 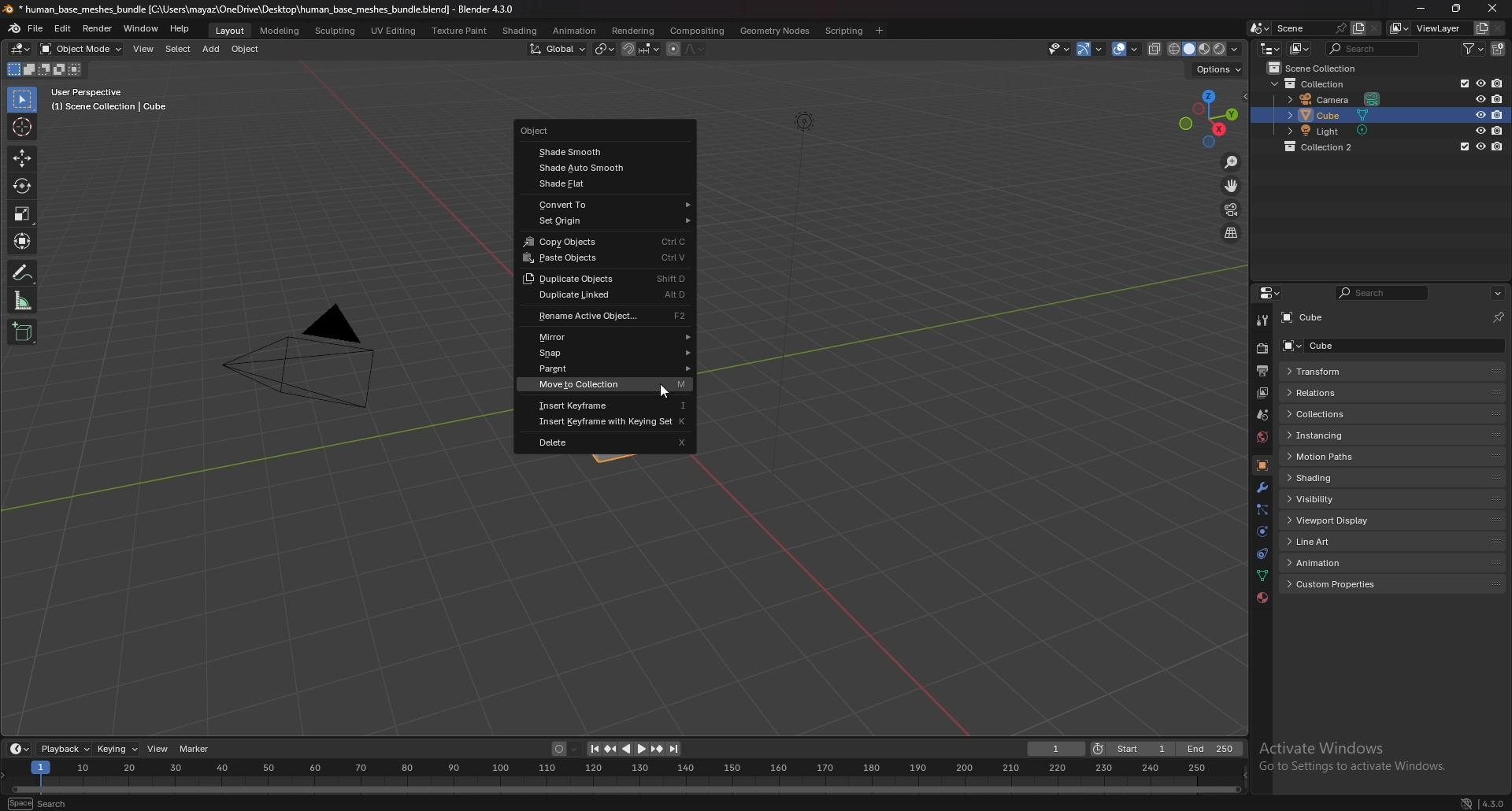 I want to click on duplicate linked, so click(x=604, y=296).